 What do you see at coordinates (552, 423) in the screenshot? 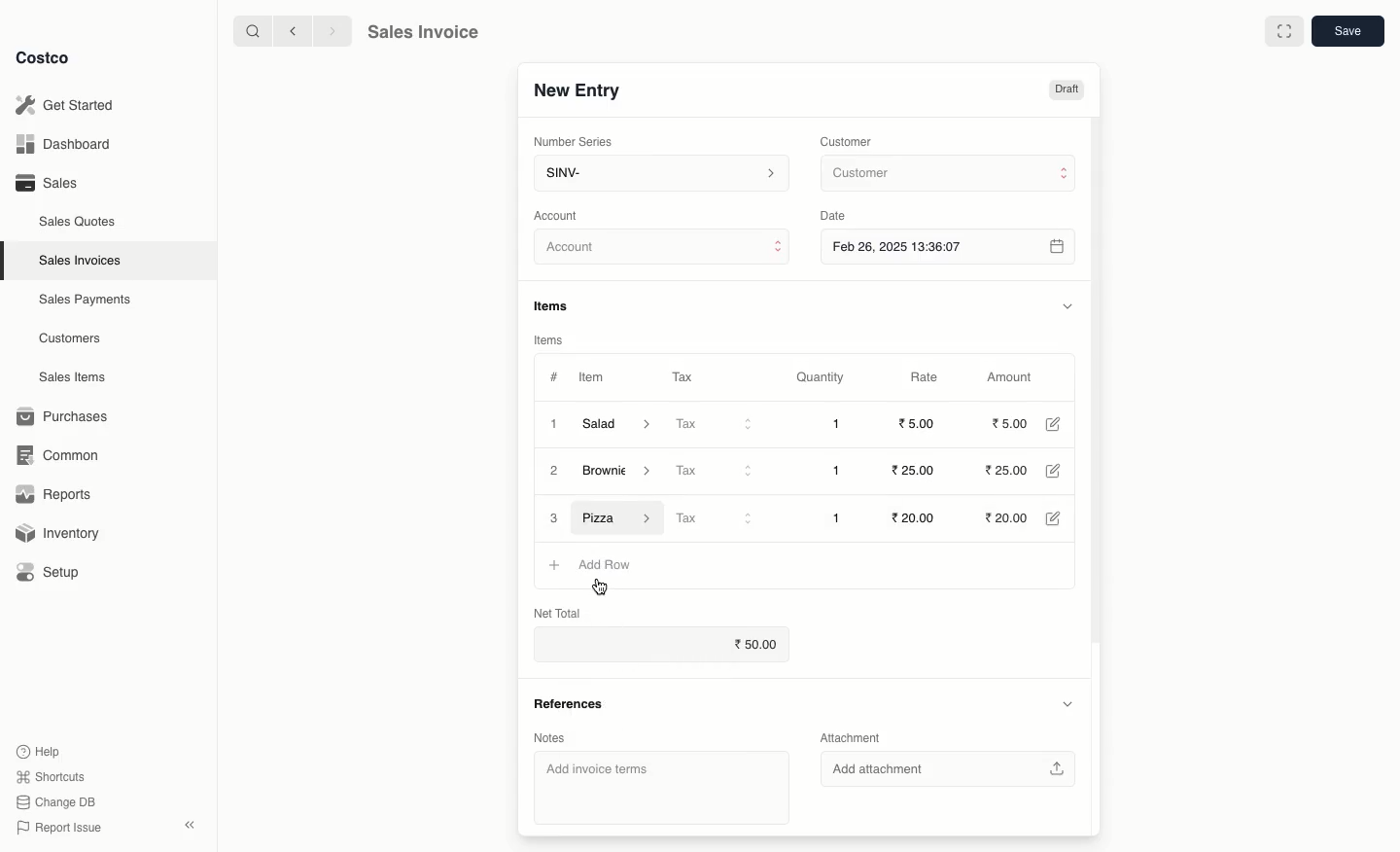
I see `1` at bounding box center [552, 423].